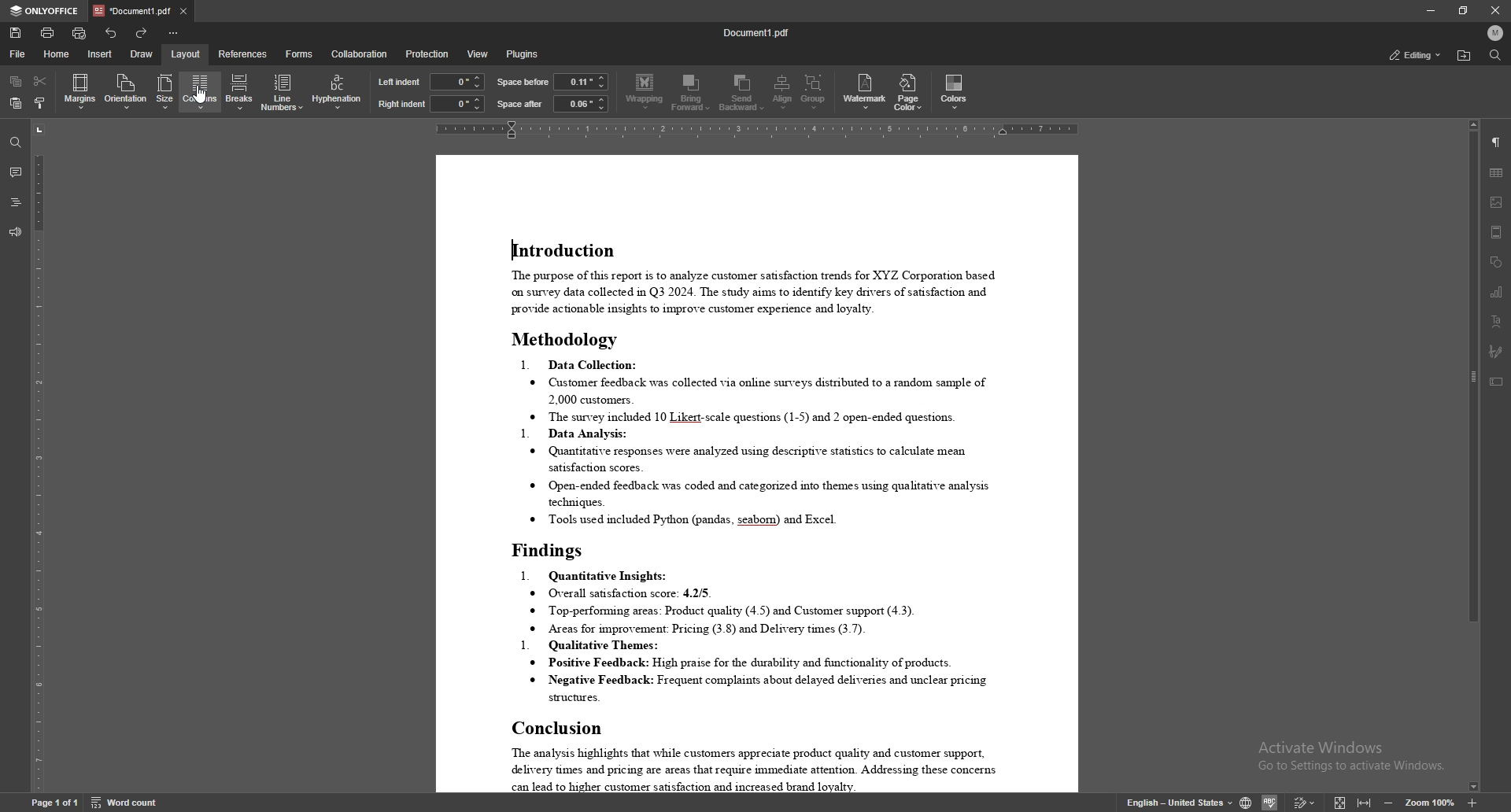 The width and height of the screenshot is (1511, 812). What do you see at coordinates (815, 93) in the screenshot?
I see `group` at bounding box center [815, 93].